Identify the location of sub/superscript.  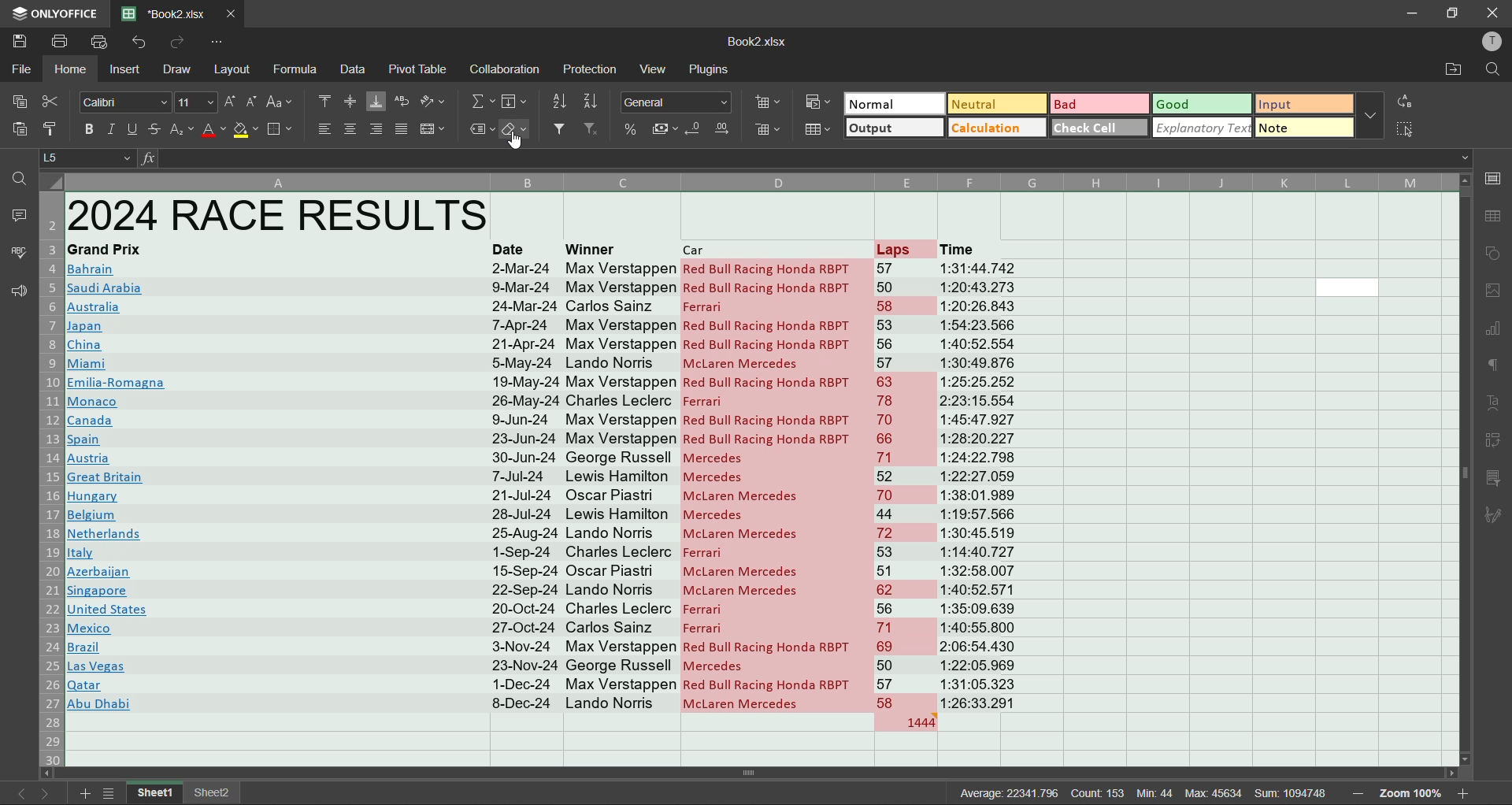
(183, 129).